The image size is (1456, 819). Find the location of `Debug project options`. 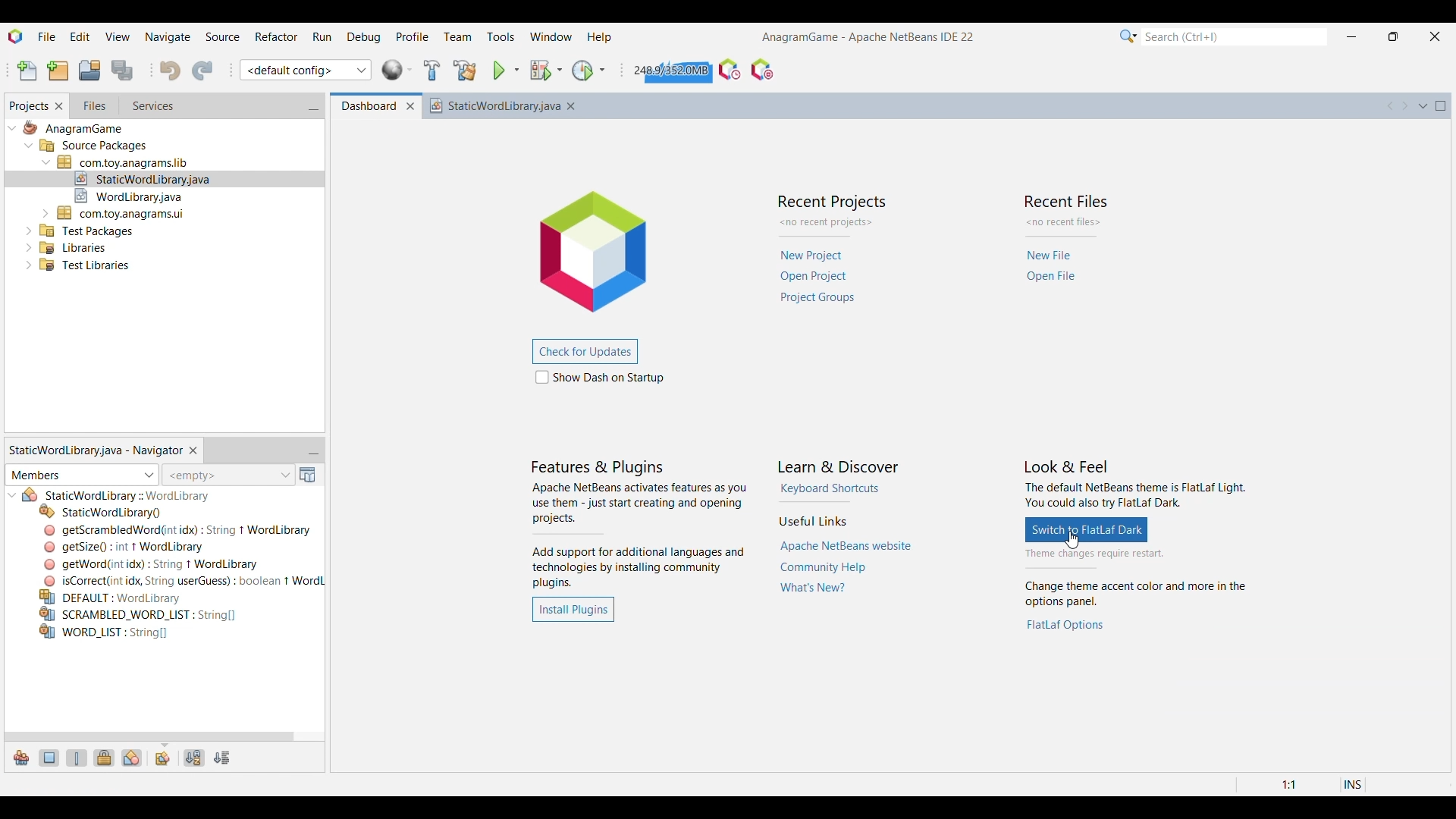

Debug project options is located at coordinates (559, 70).